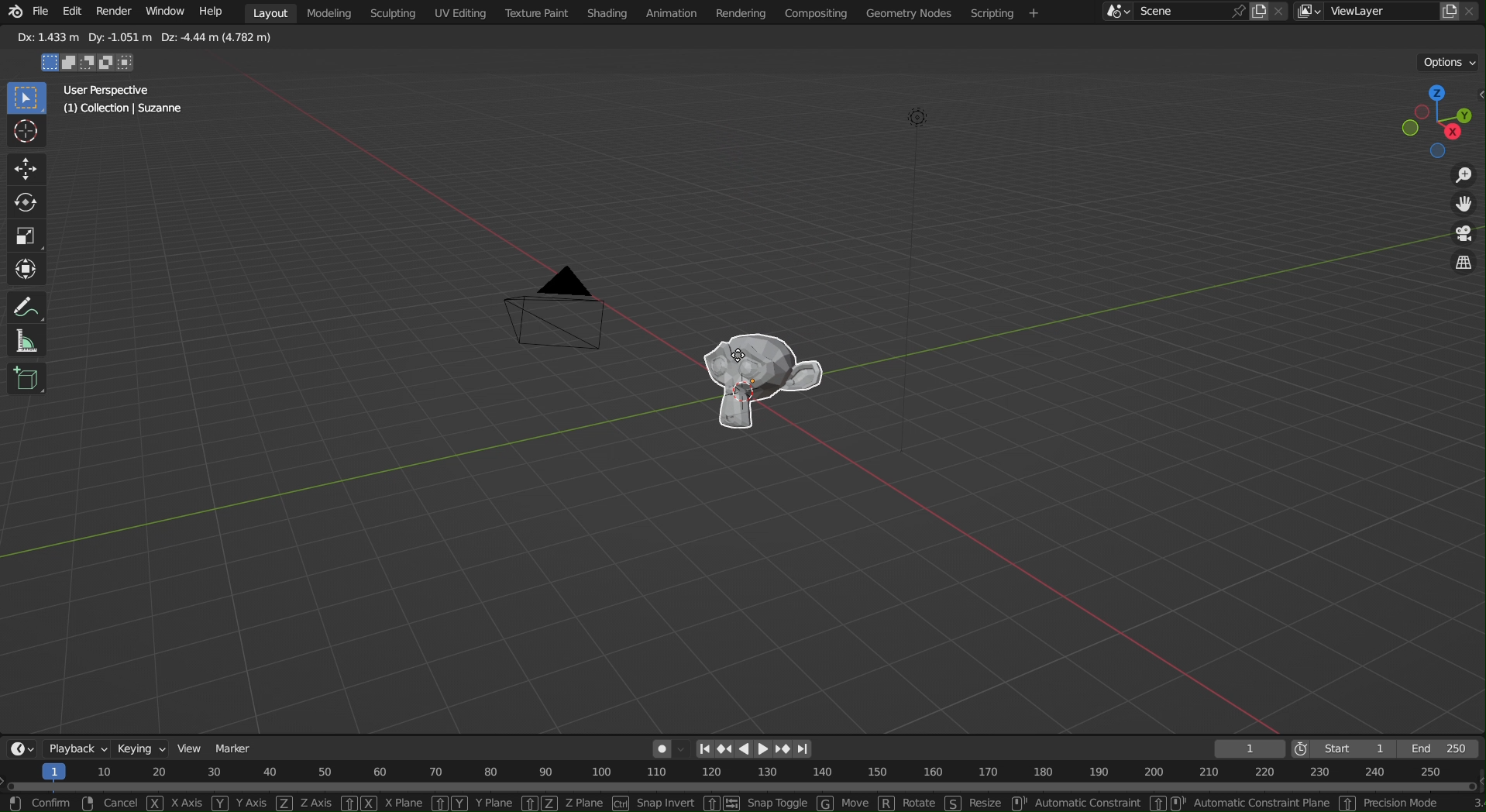 The image size is (1486, 812). Describe the element at coordinates (17, 12) in the screenshot. I see `logo` at that location.